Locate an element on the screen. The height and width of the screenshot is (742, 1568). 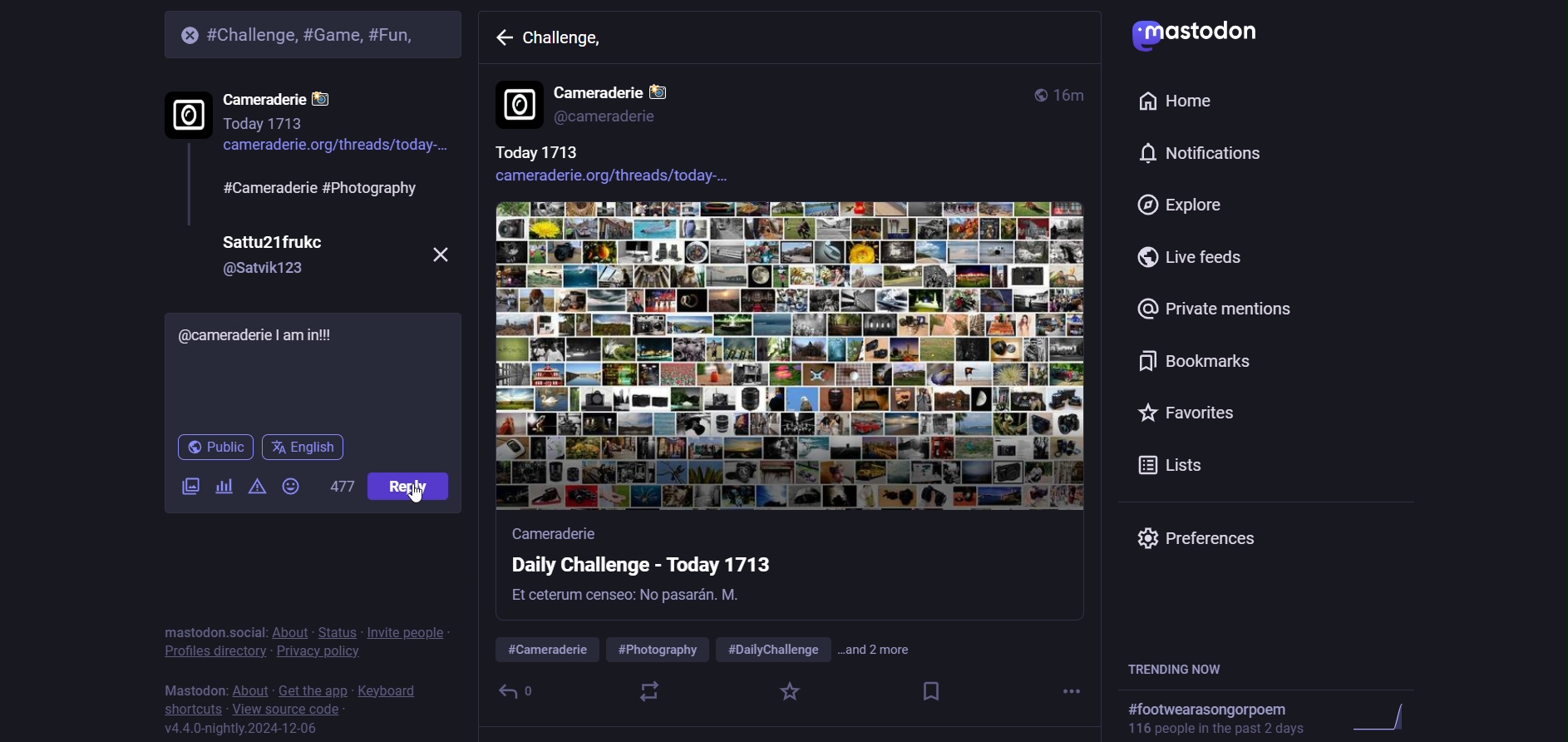
cameraderie.org/threads/today-.. is located at coordinates (333, 150).